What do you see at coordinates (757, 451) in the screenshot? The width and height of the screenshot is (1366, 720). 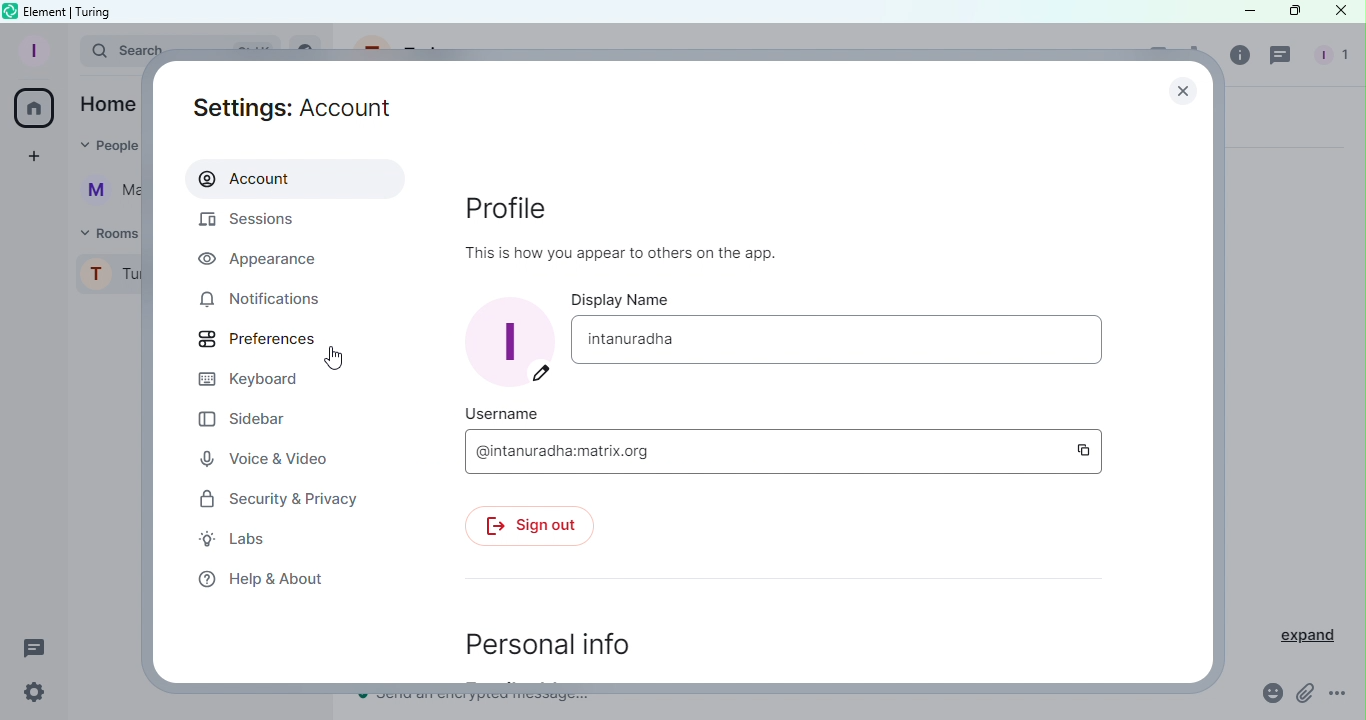 I see `Username - @intanuradhamatrix.org` at bounding box center [757, 451].